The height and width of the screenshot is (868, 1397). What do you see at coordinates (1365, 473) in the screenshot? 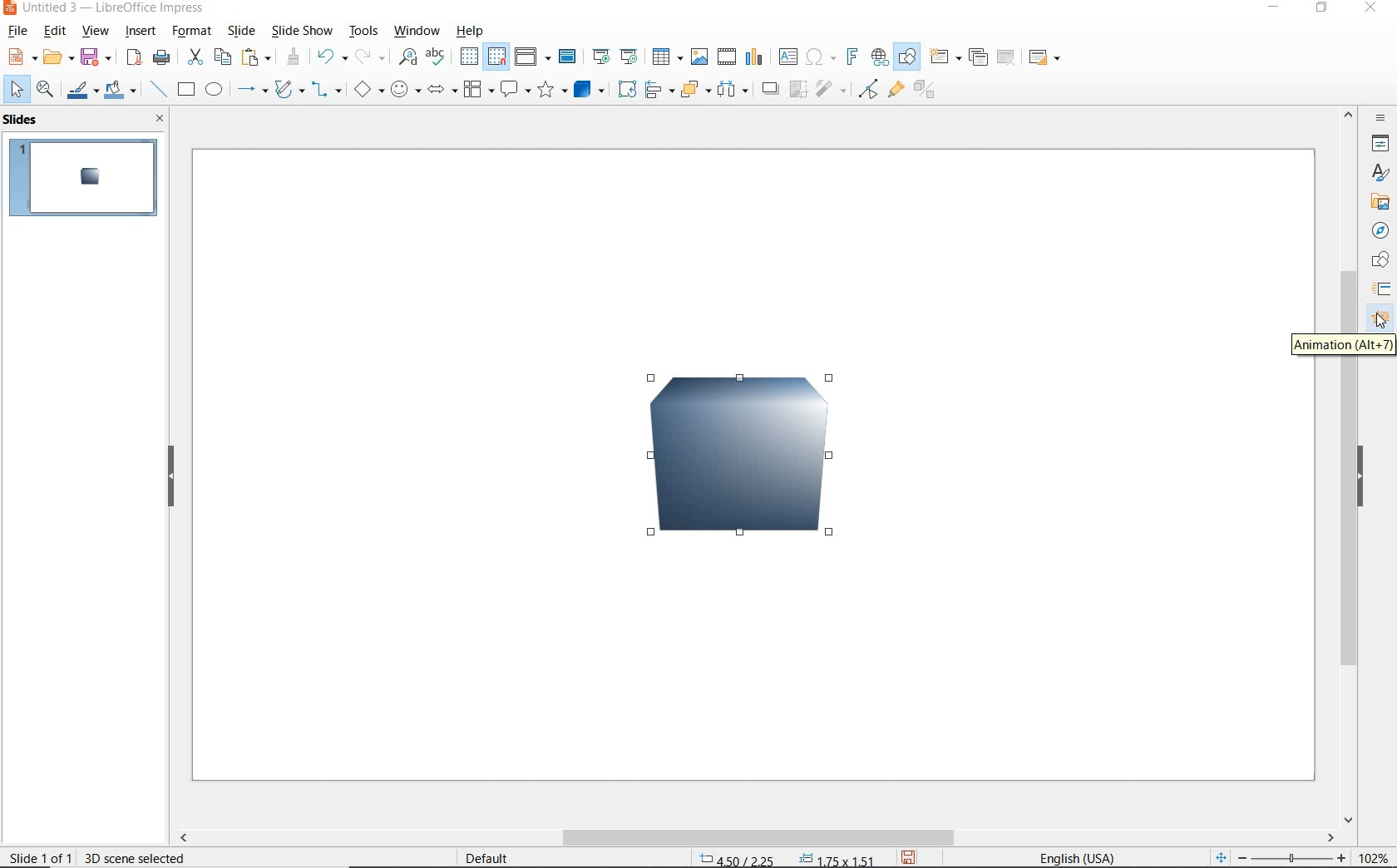
I see `HIDE` at bounding box center [1365, 473].